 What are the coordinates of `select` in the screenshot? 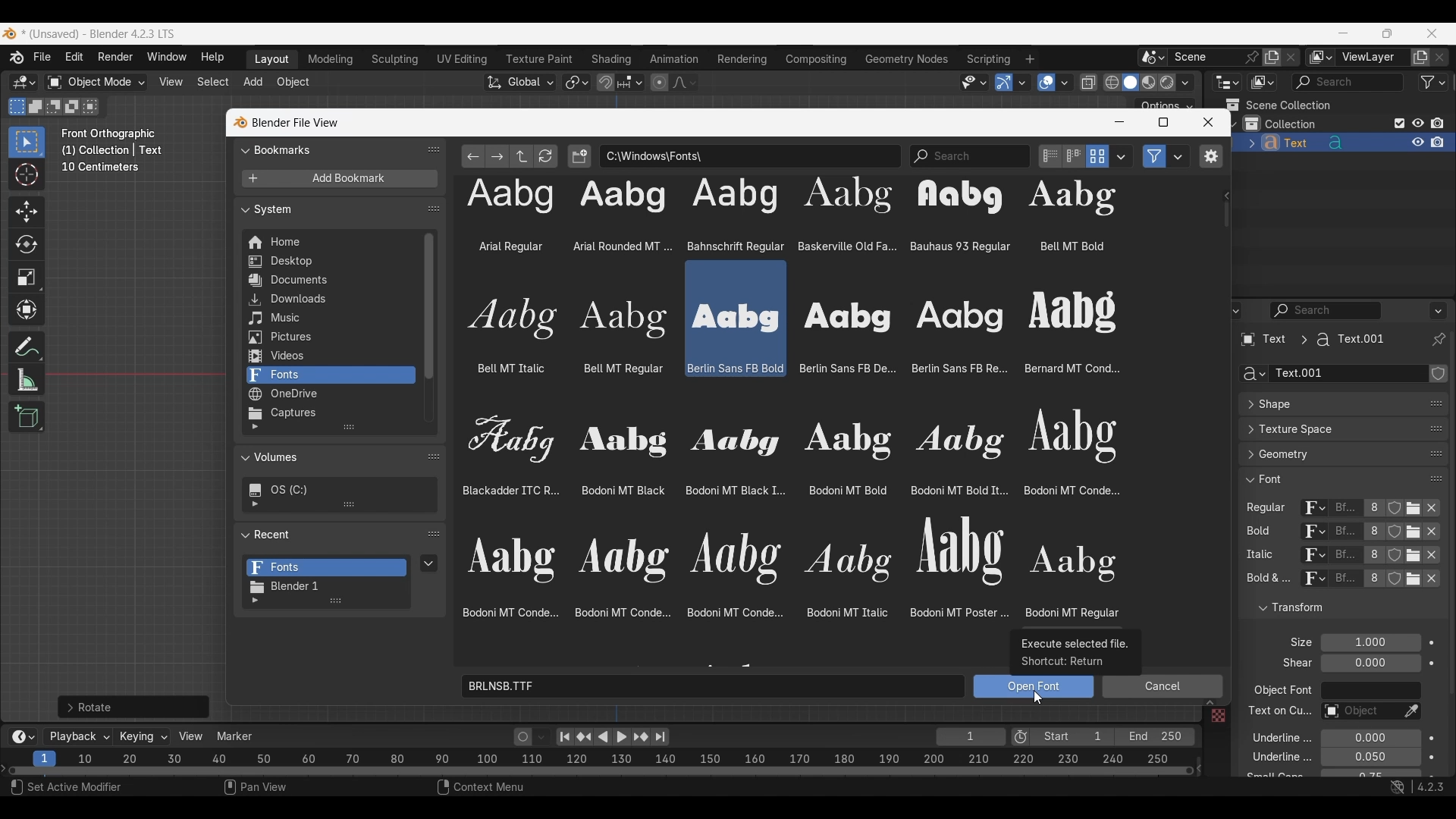 It's located at (93, 106).